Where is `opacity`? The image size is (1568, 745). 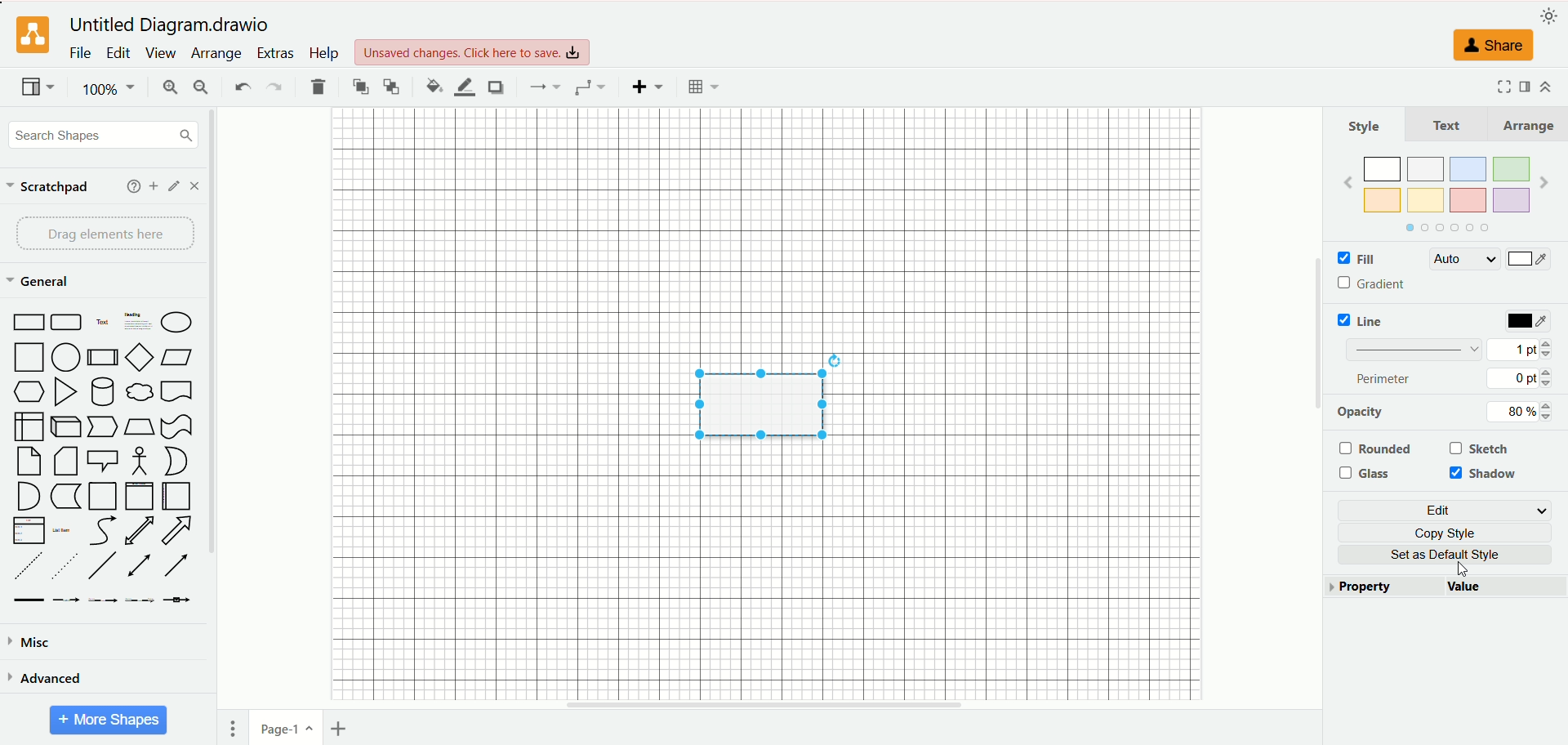
opacity is located at coordinates (1361, 412).